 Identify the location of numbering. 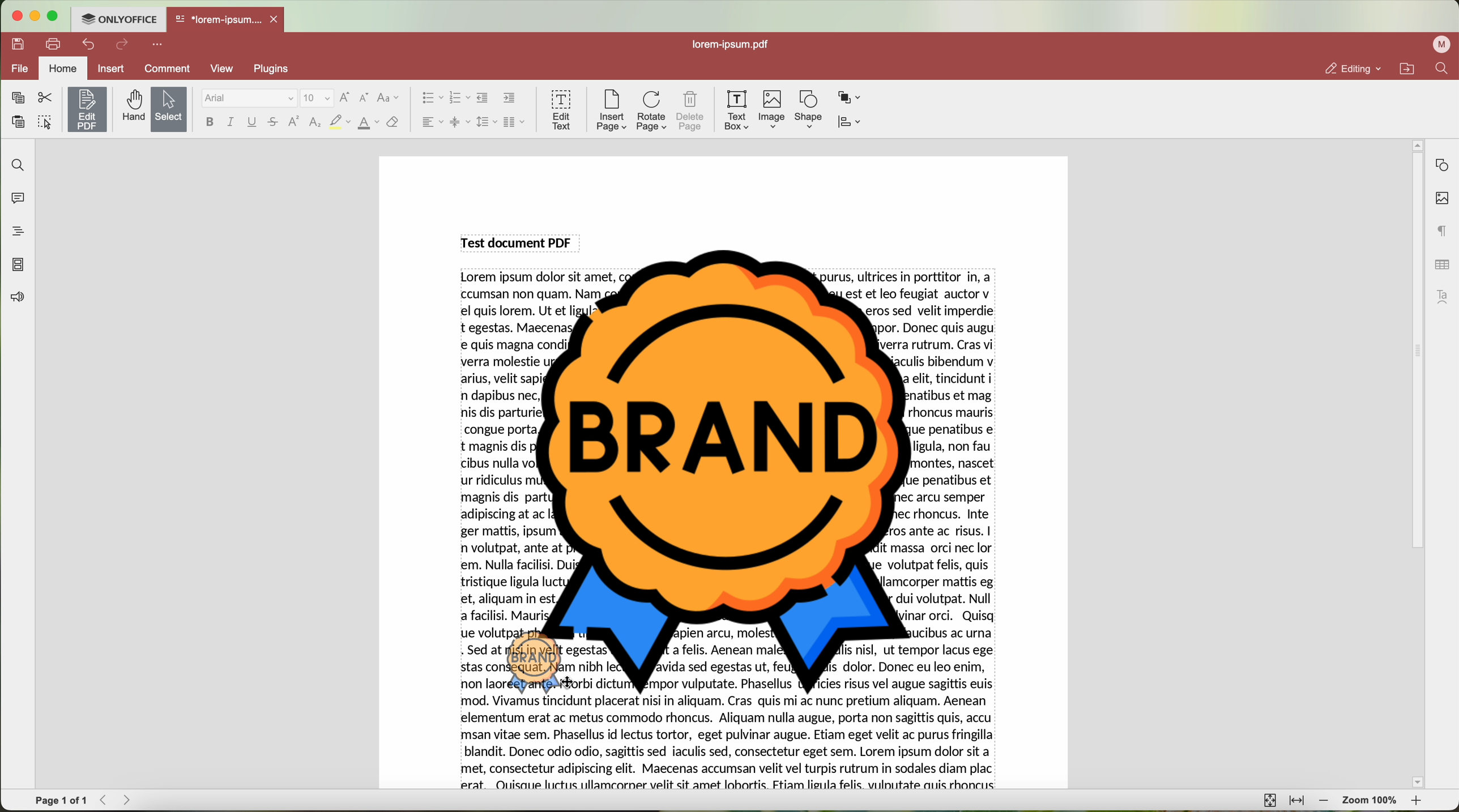
(459, 99).